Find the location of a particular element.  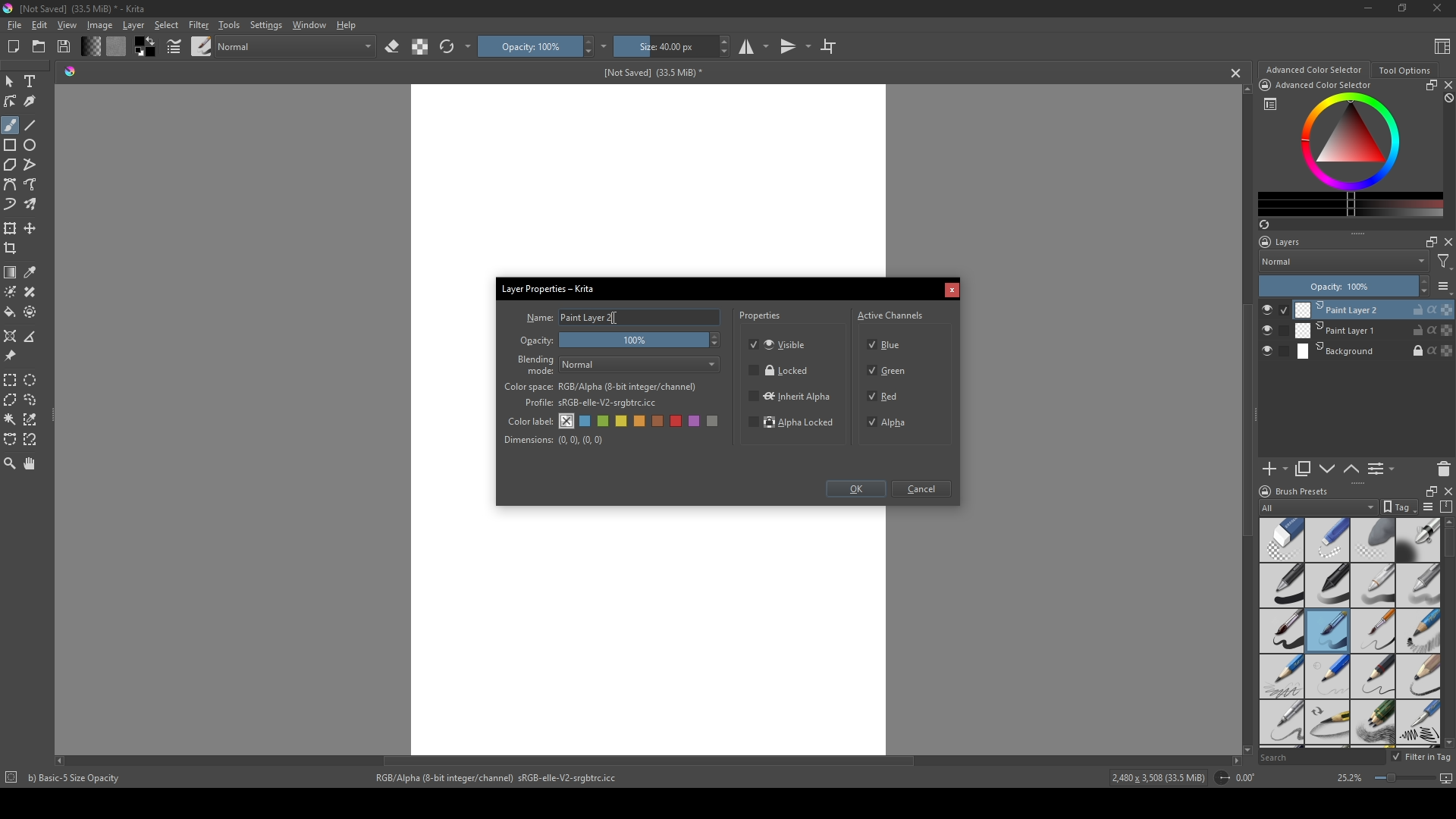

blending tool is located at coordinates (1418, 539).